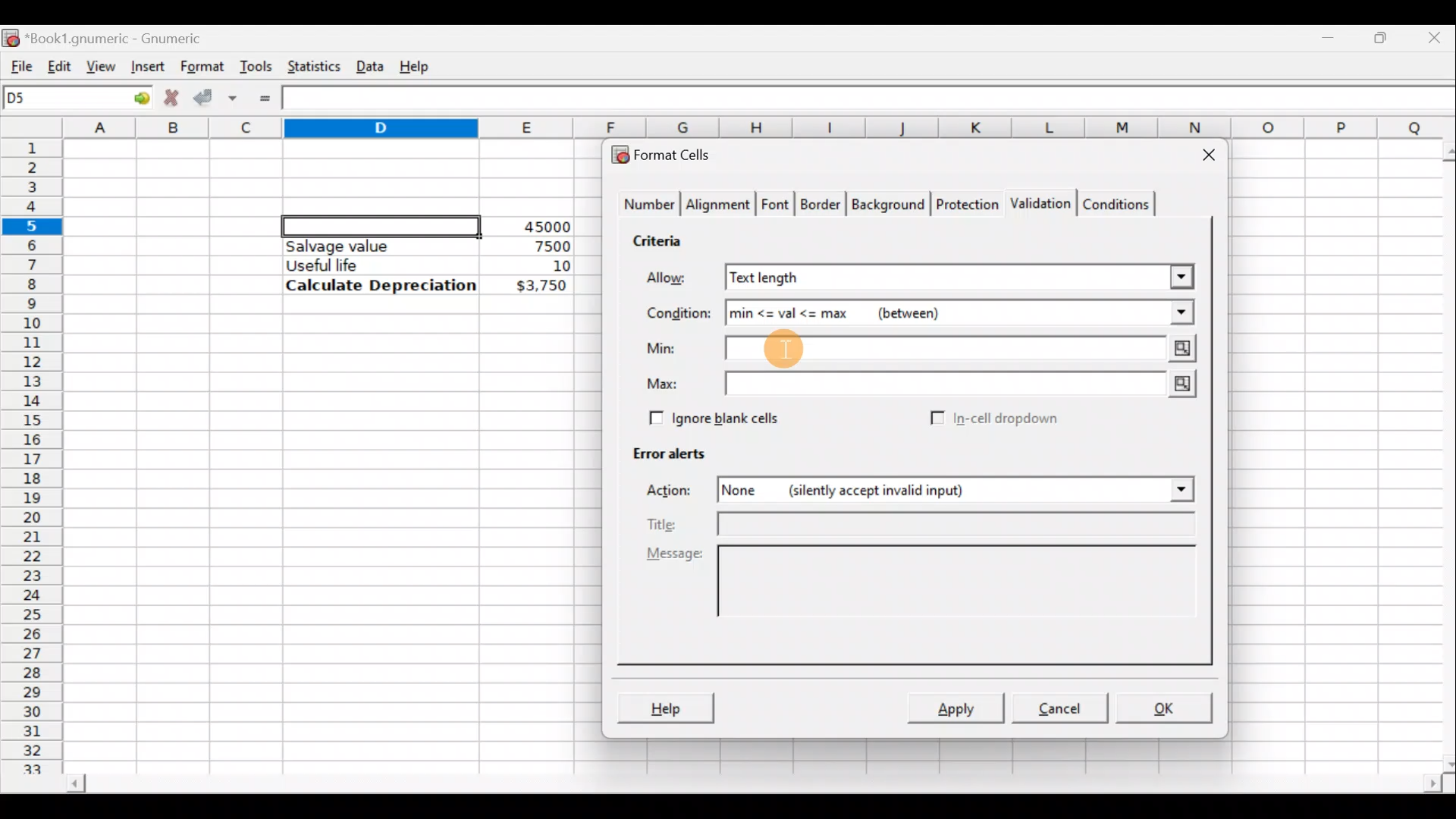 The width and height of the screenshot is (1456, 819). I want to click on Tools, so click(256, 65).